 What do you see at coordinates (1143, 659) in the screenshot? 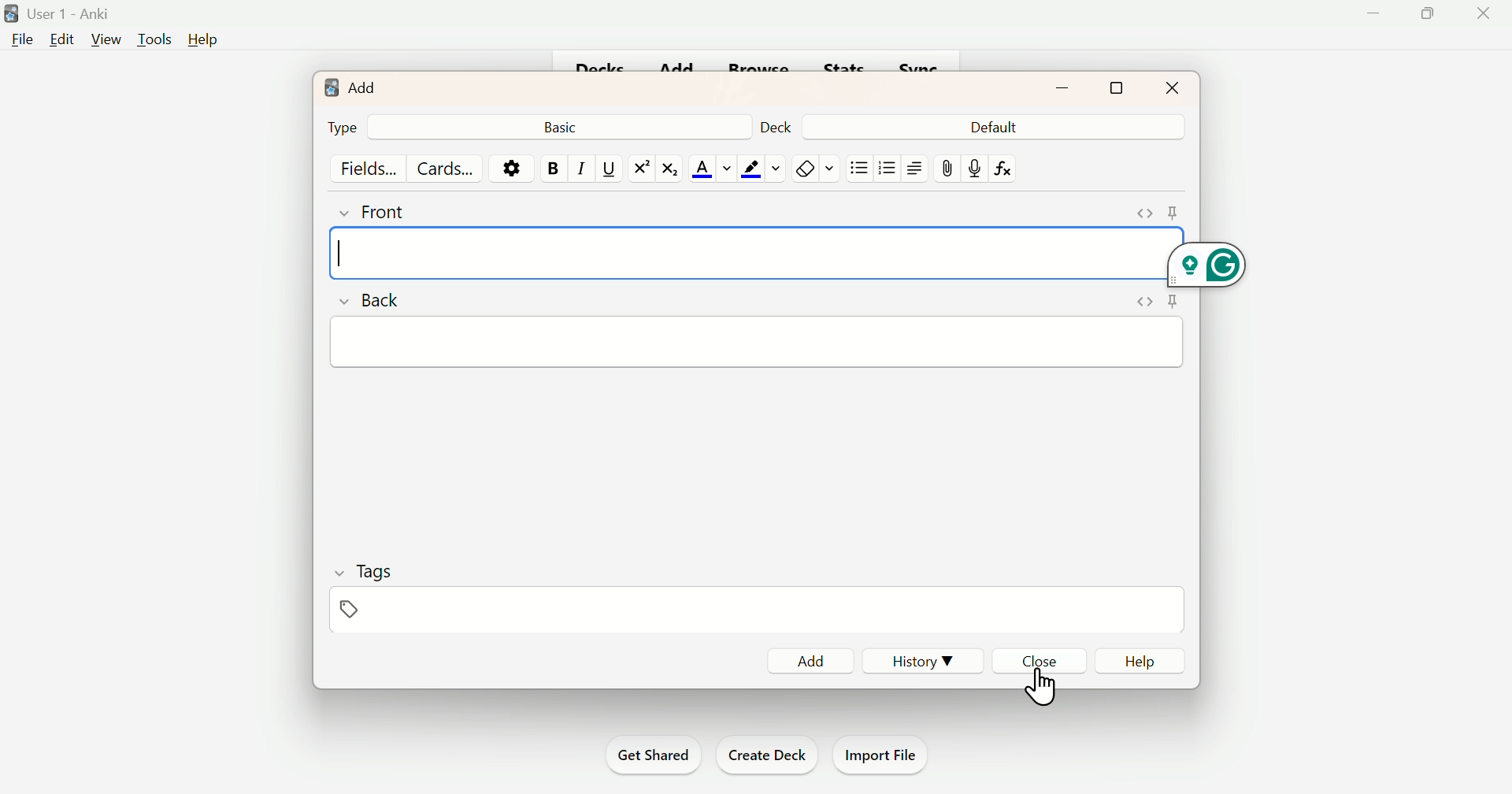
I see `Help` at bounding box center [1143, 659].